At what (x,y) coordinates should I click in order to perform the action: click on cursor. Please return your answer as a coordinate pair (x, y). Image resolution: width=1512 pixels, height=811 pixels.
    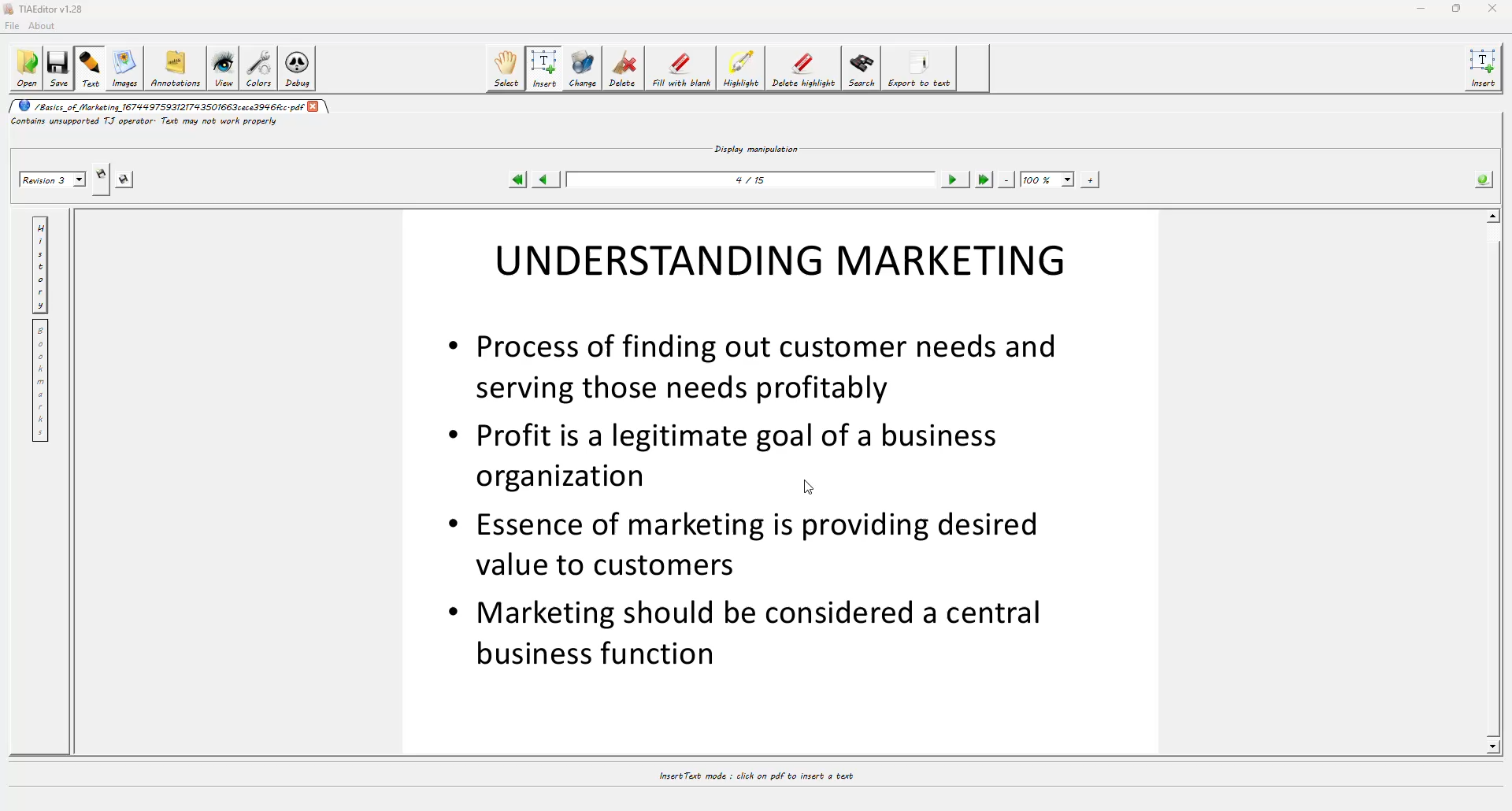
    Looking at the image, I should click on (803, 488).